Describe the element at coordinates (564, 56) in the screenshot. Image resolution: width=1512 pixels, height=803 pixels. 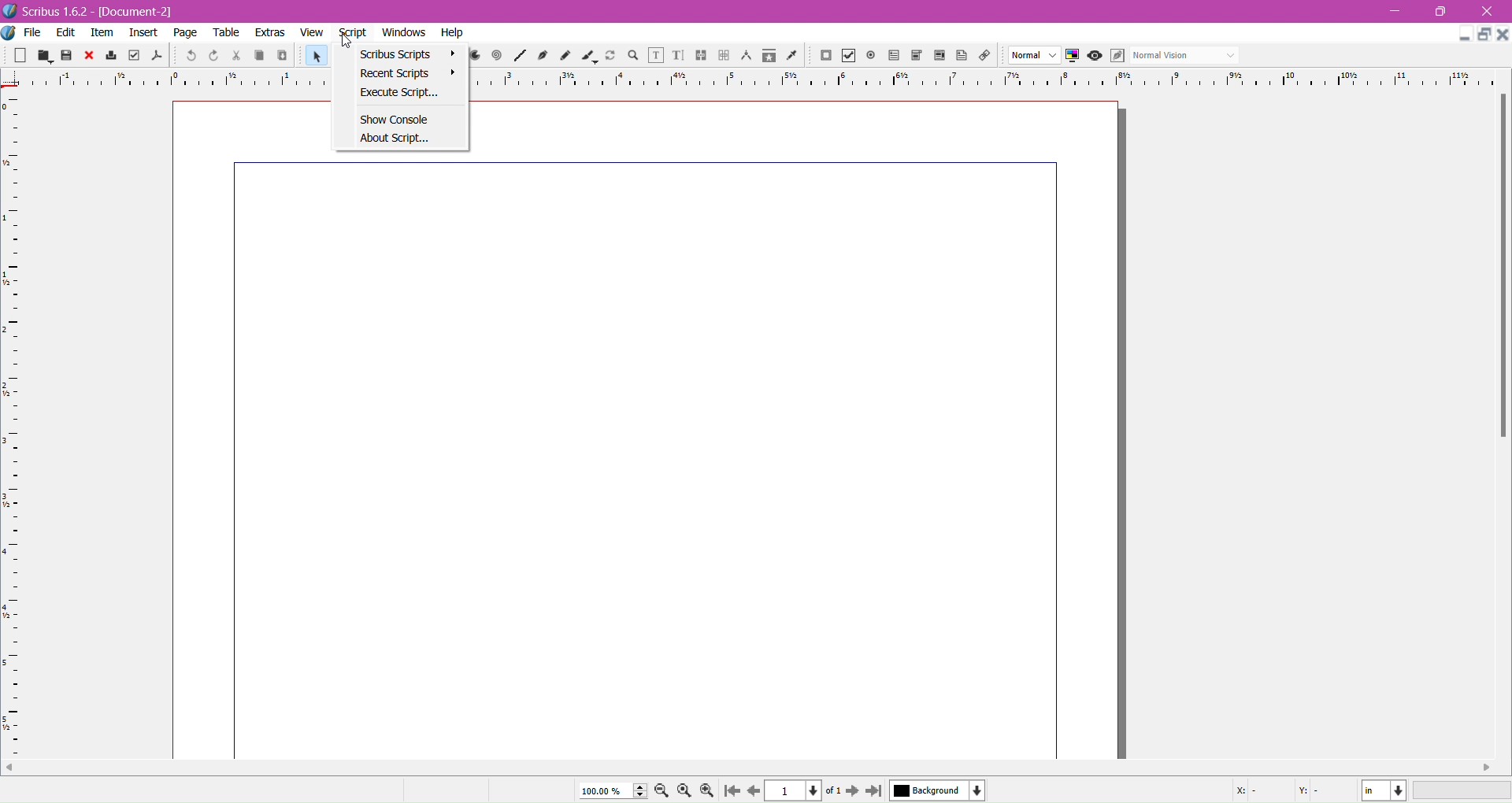
I see `Freehand Line` at that location.